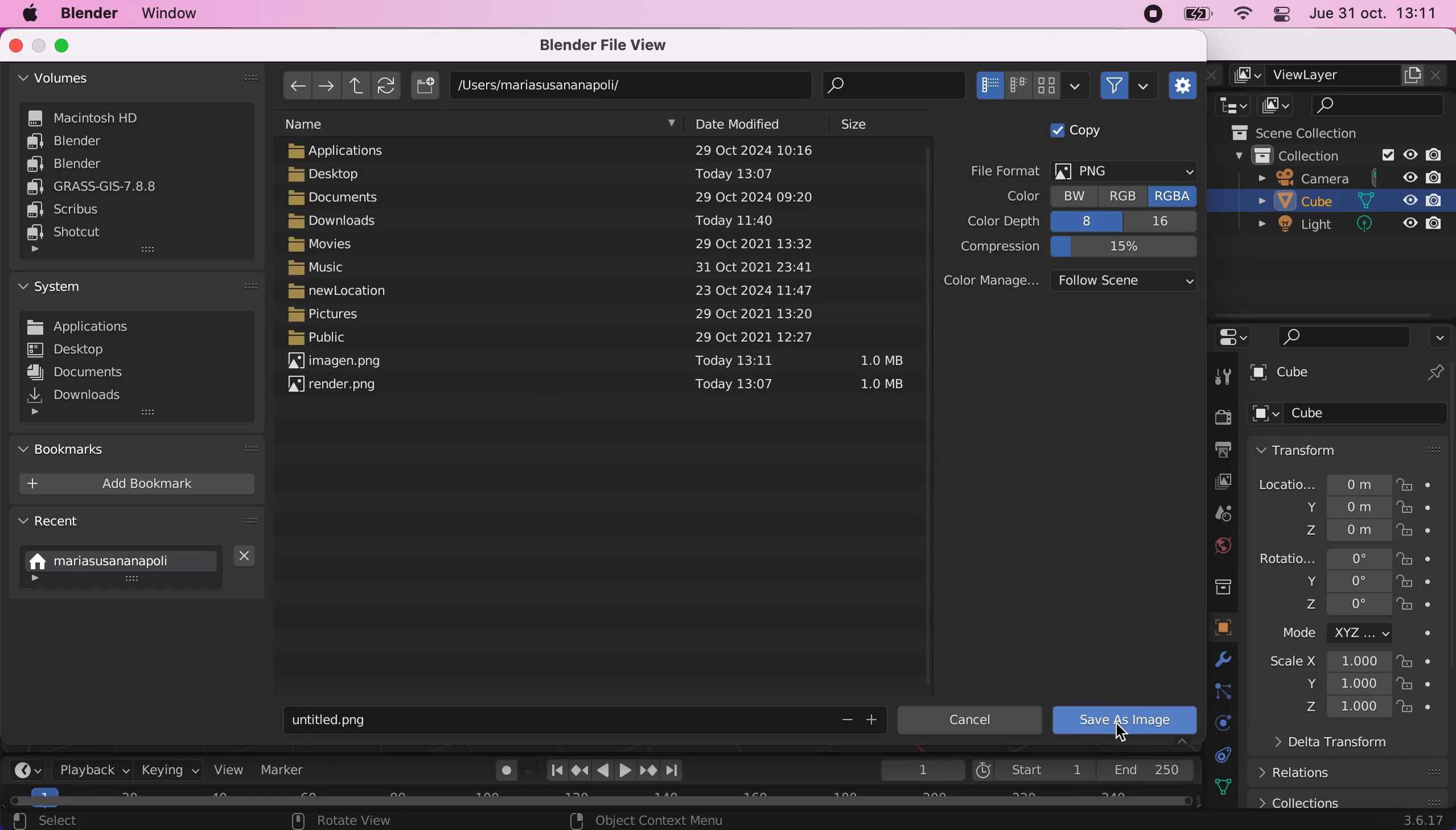 The height and width of the screenshot is (830, 1456). I want to click on lock, so click(1416, 533).